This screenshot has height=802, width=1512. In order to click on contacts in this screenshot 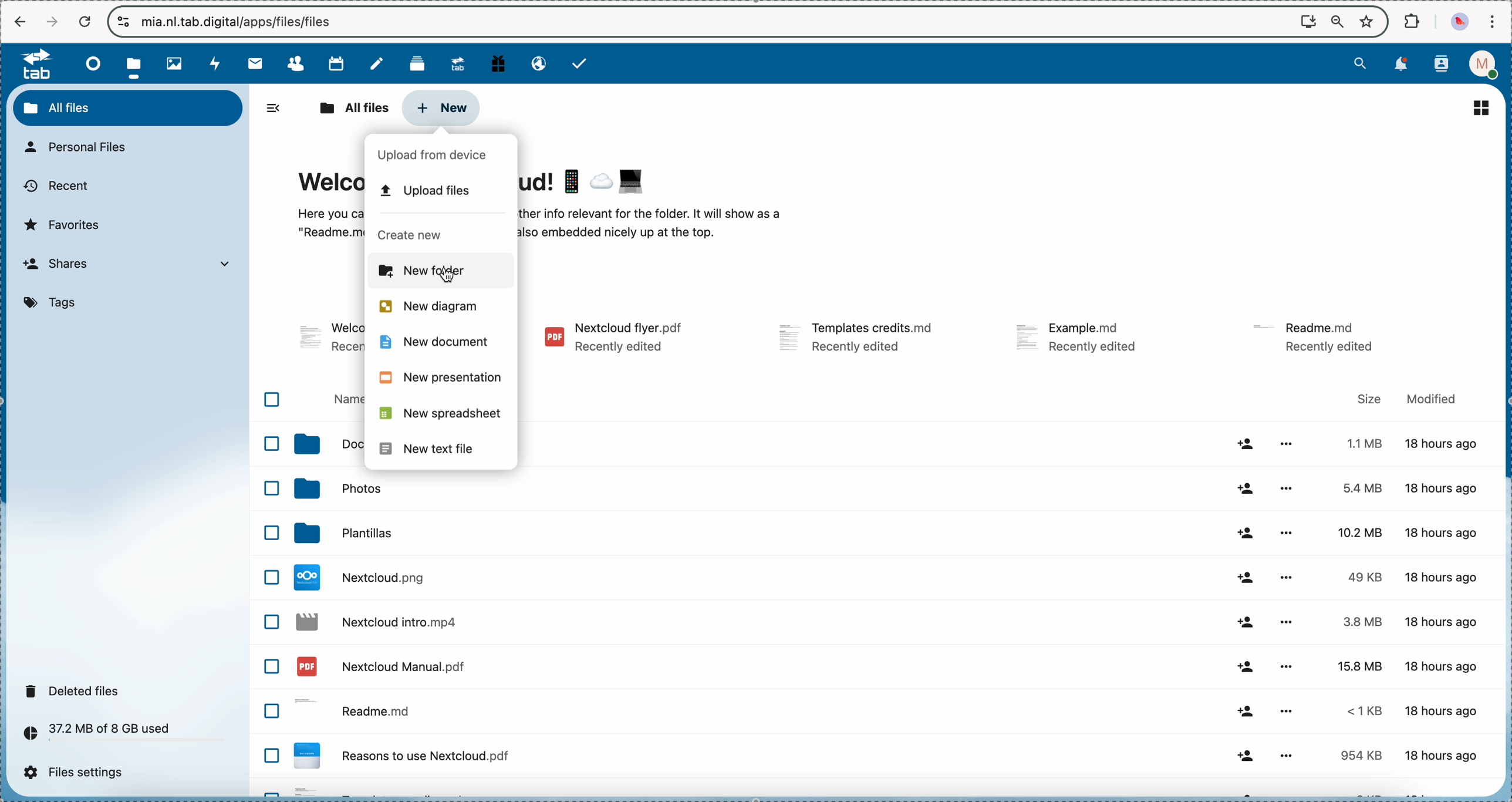, I will do `click(295, 64)`.